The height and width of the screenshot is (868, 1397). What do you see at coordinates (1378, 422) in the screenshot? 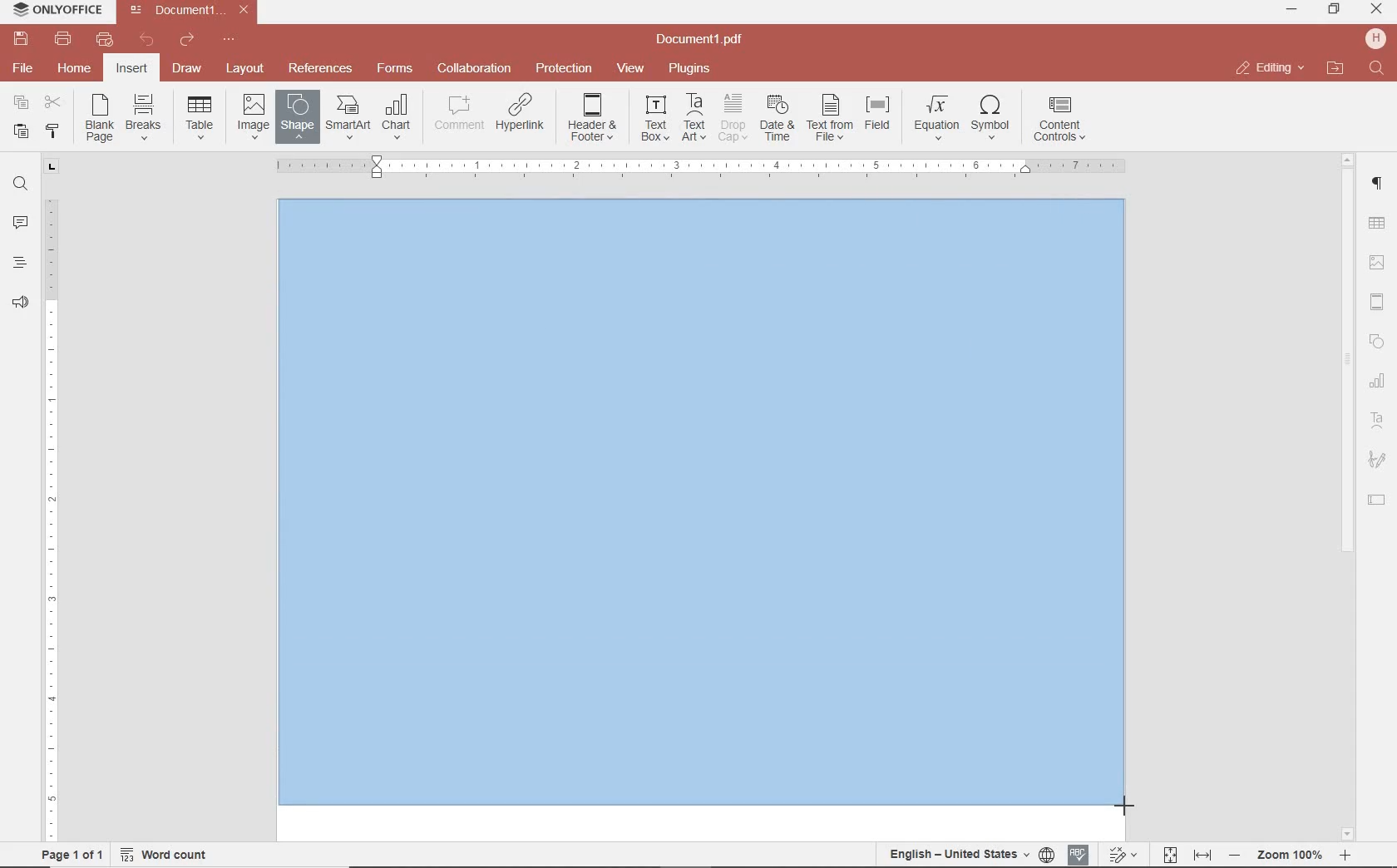
I see `TEXT ART` at bounding box center [1378, 422].